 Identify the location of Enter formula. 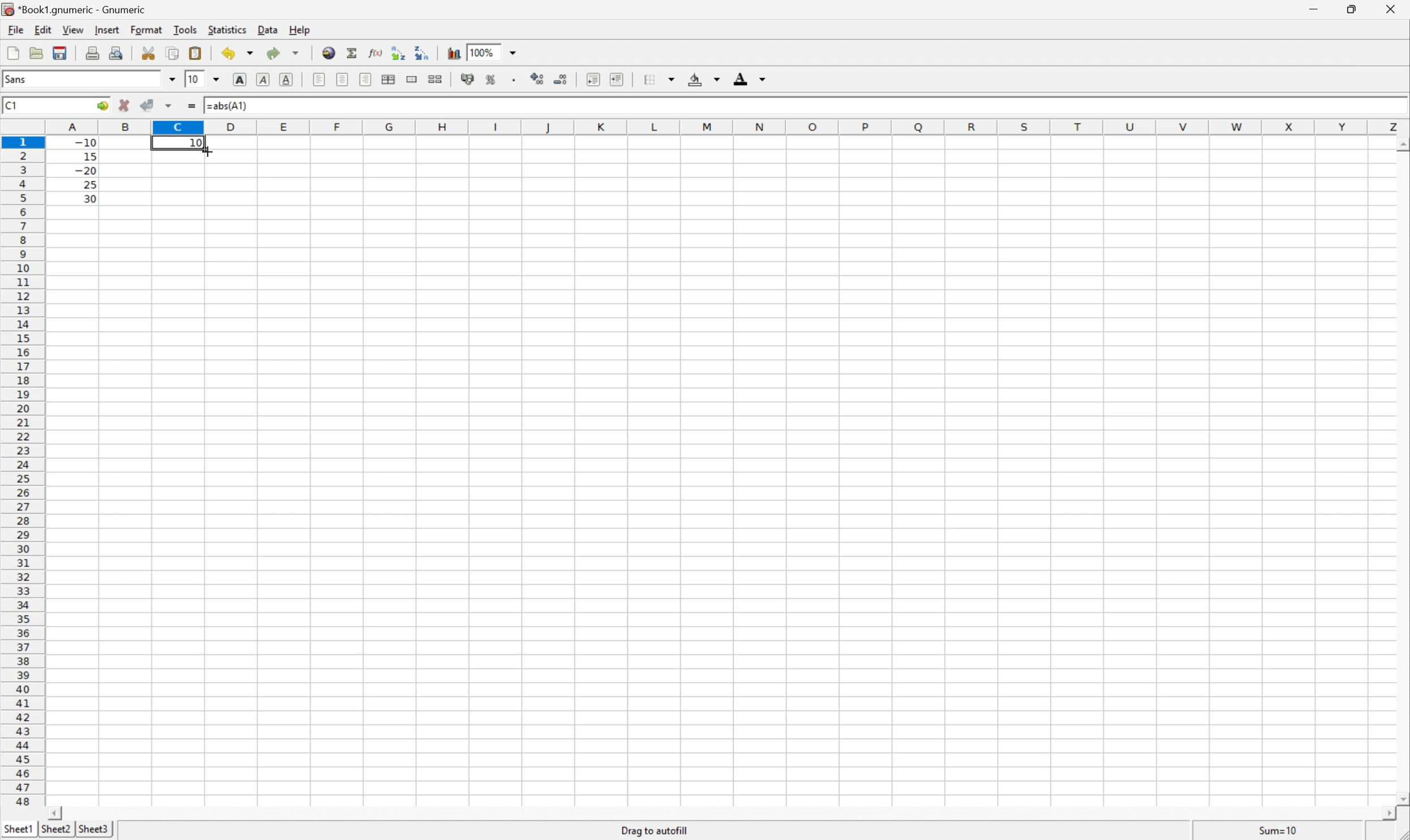
(194, 107).